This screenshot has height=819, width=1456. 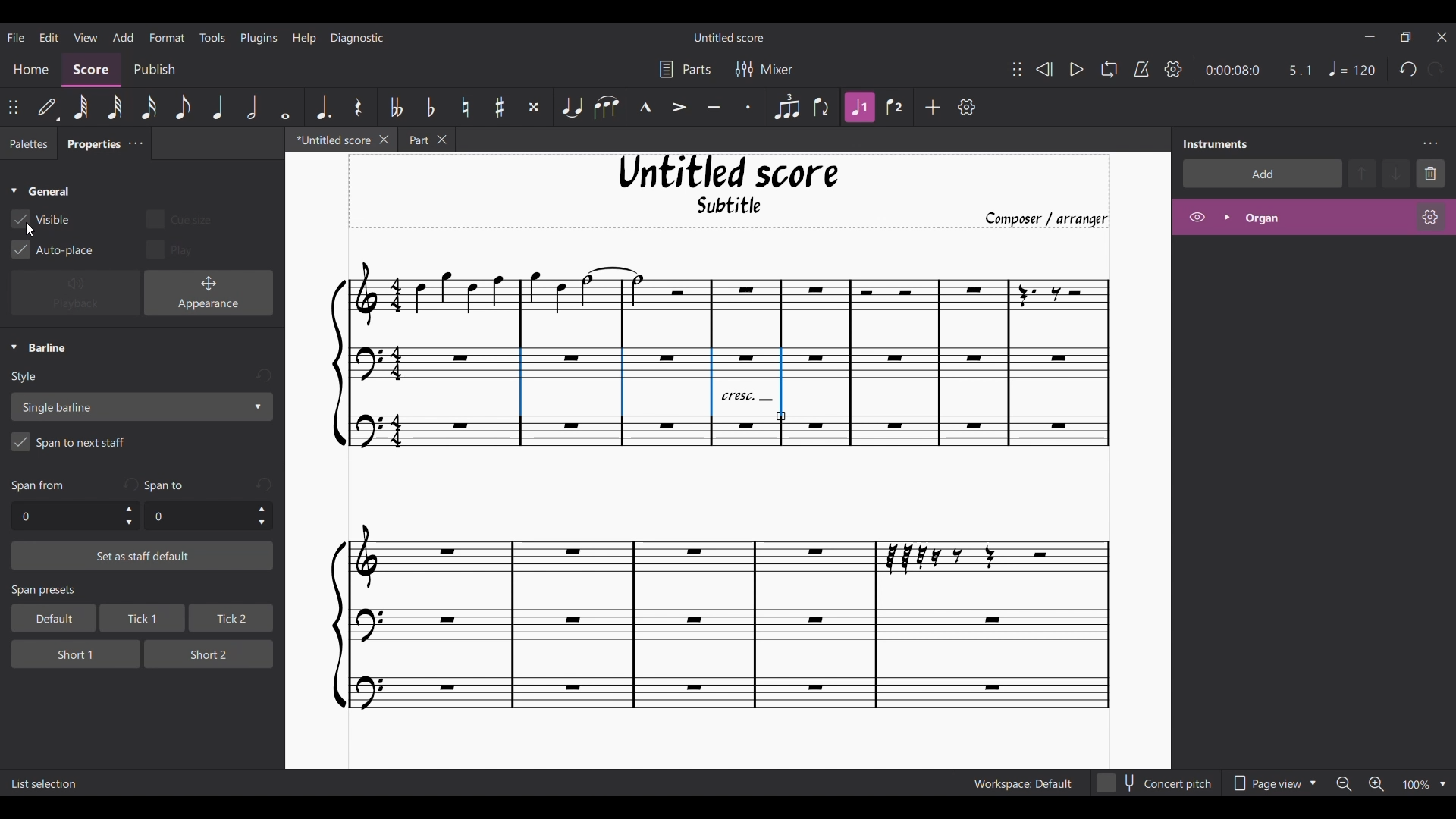 What do you see at coordinates (384, 139) in the screenshot?
I see `Close current tab` at bounding box center [384, 139].